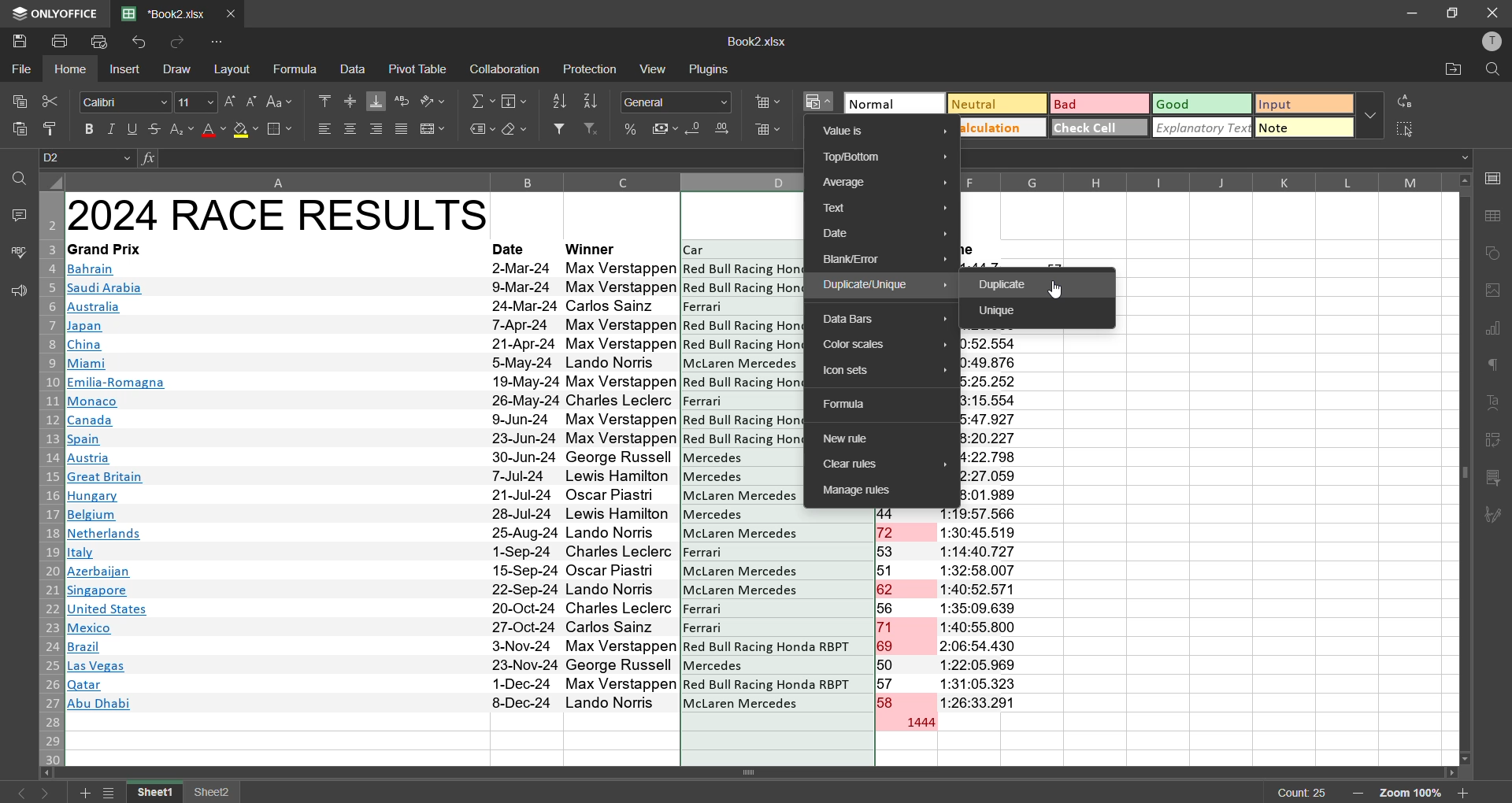  Describe the element at coordinates (50, 793) in the screenshot. I see `next` at that location.